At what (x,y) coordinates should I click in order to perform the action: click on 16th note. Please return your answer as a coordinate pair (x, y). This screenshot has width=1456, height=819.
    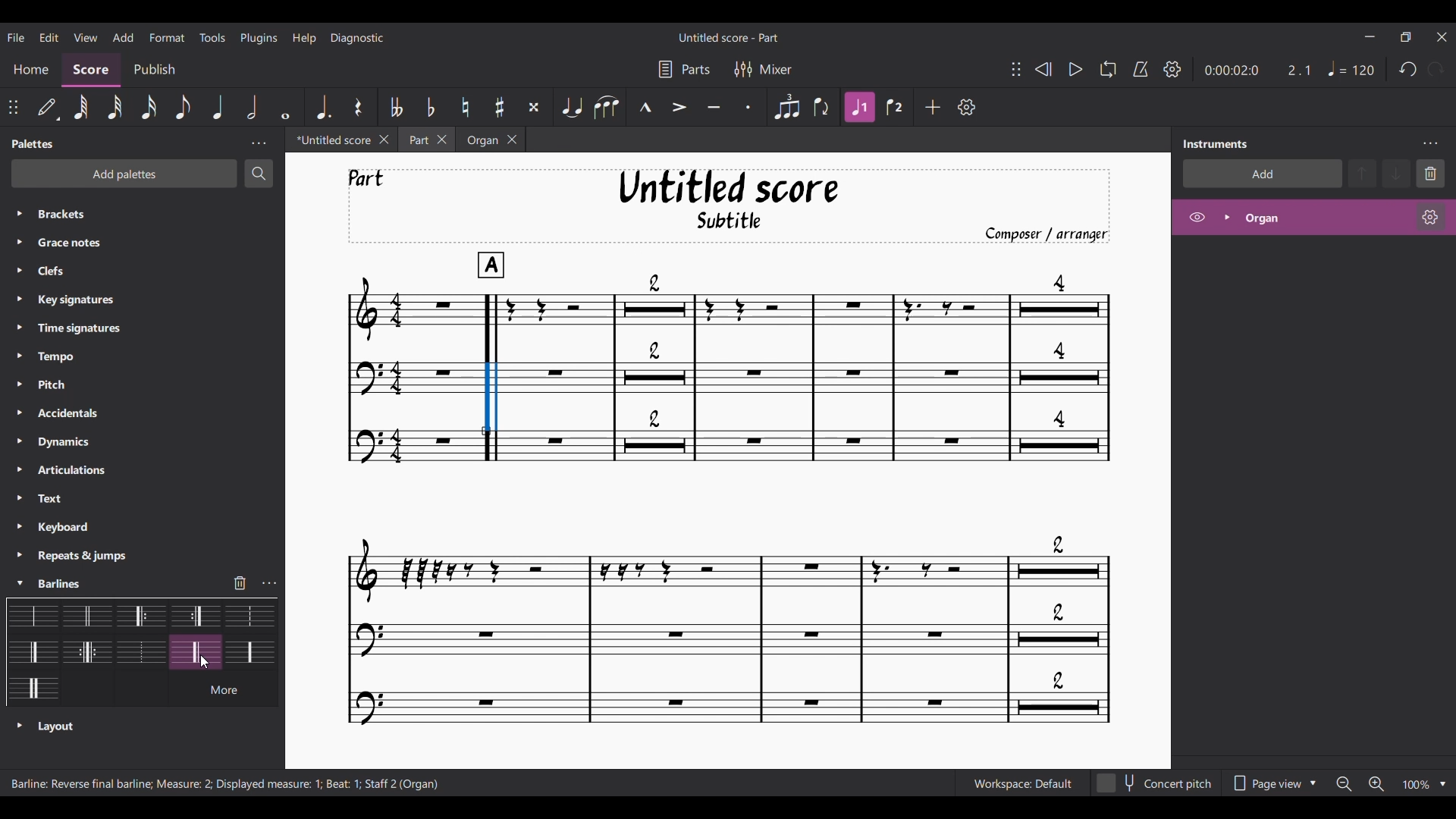
    Looking at the image, I should click on (149, 107).